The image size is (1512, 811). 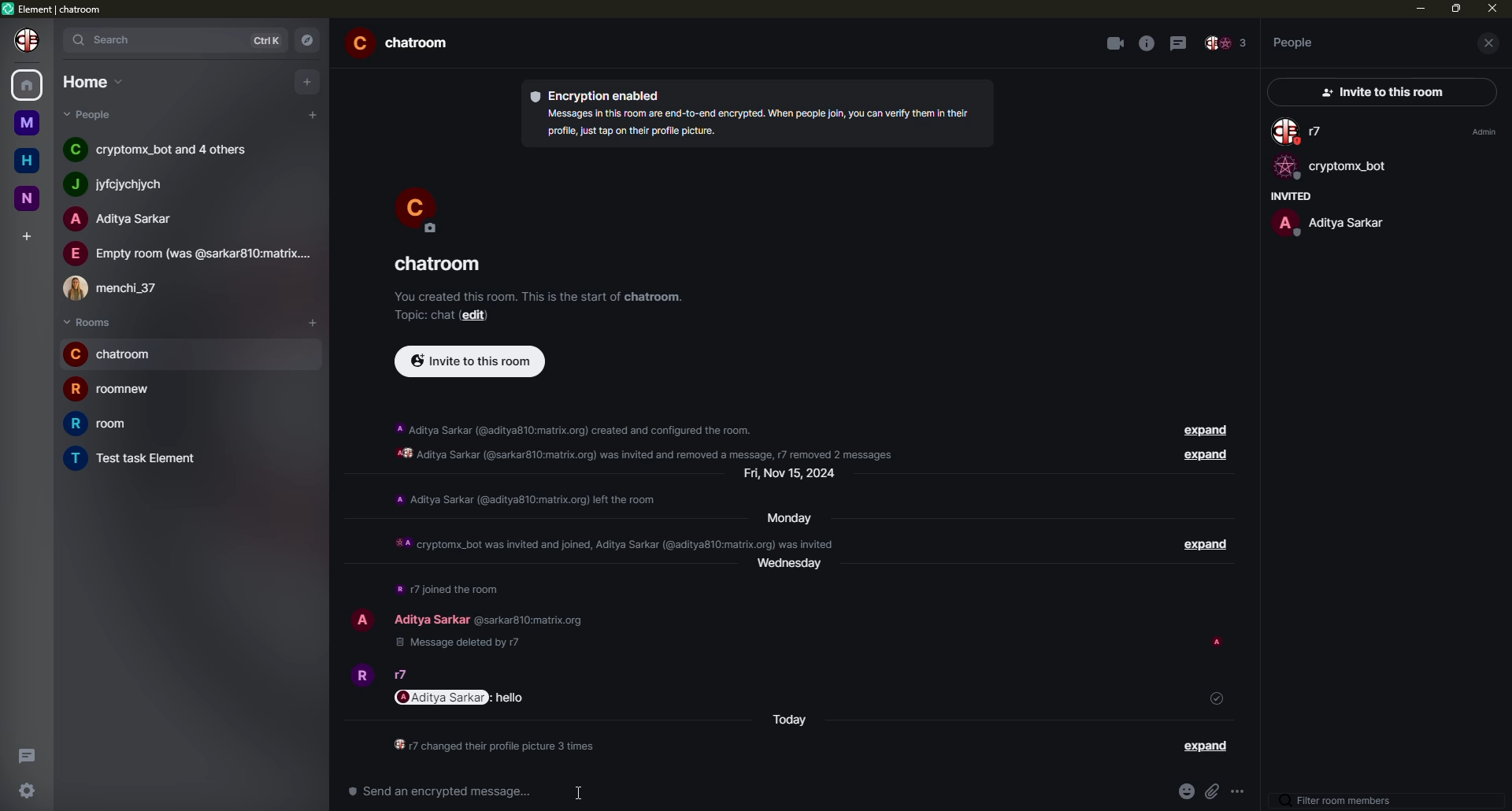 I want to click on info, so click(x=1147, y=43).